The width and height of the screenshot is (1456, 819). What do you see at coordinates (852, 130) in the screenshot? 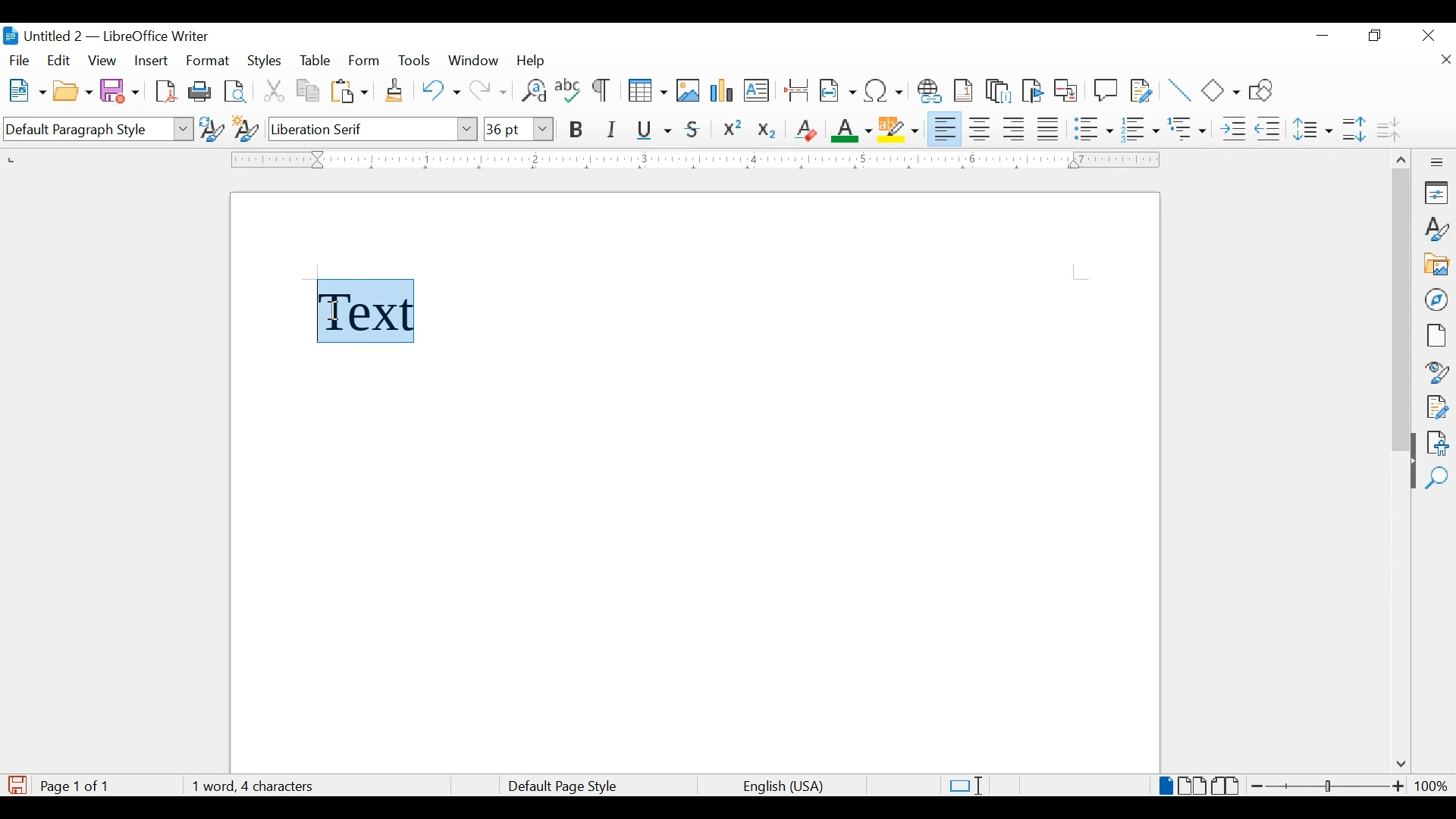
I see `font color` at bounding box center [852, 130].